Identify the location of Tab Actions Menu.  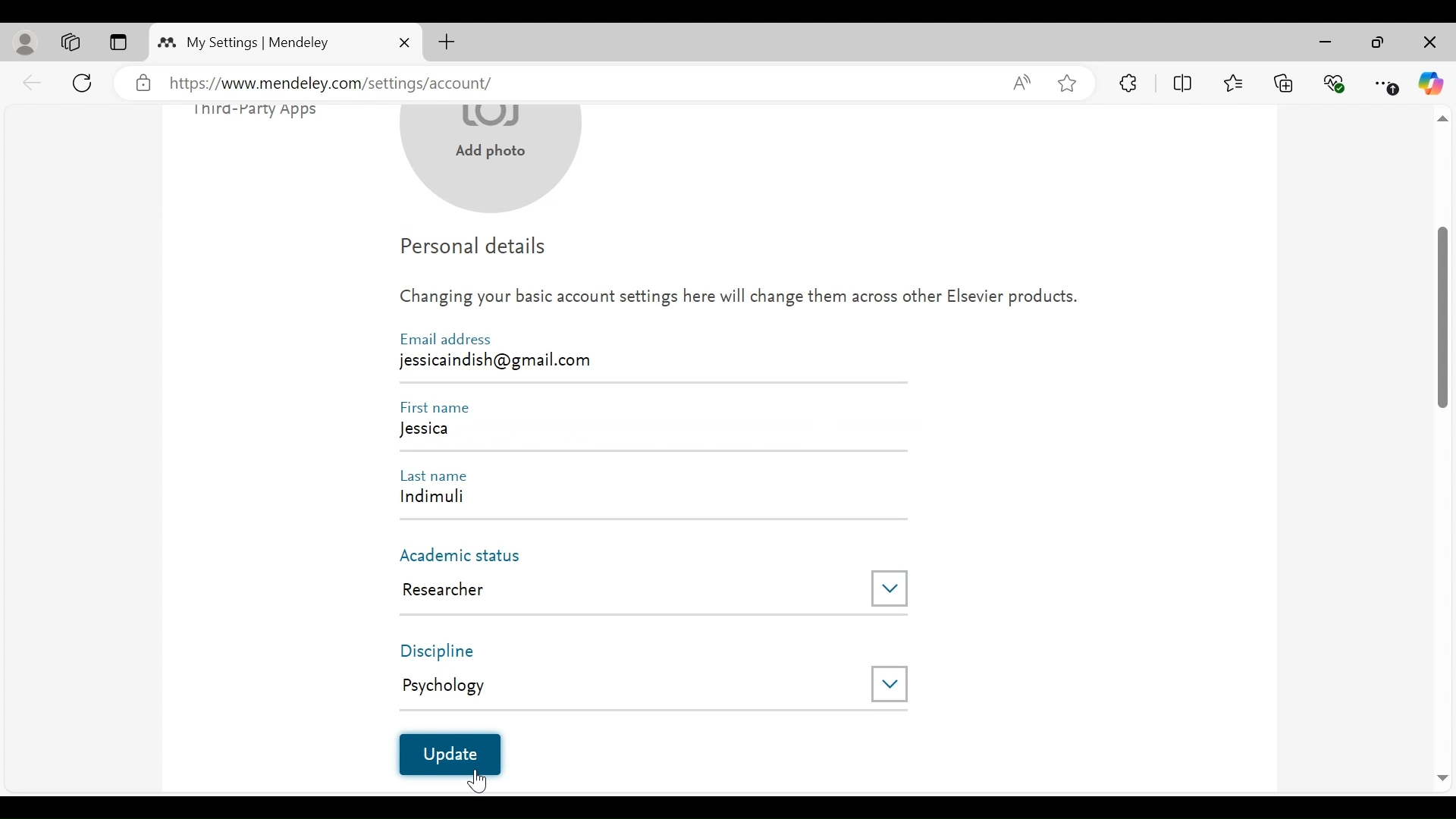
(118, 43).